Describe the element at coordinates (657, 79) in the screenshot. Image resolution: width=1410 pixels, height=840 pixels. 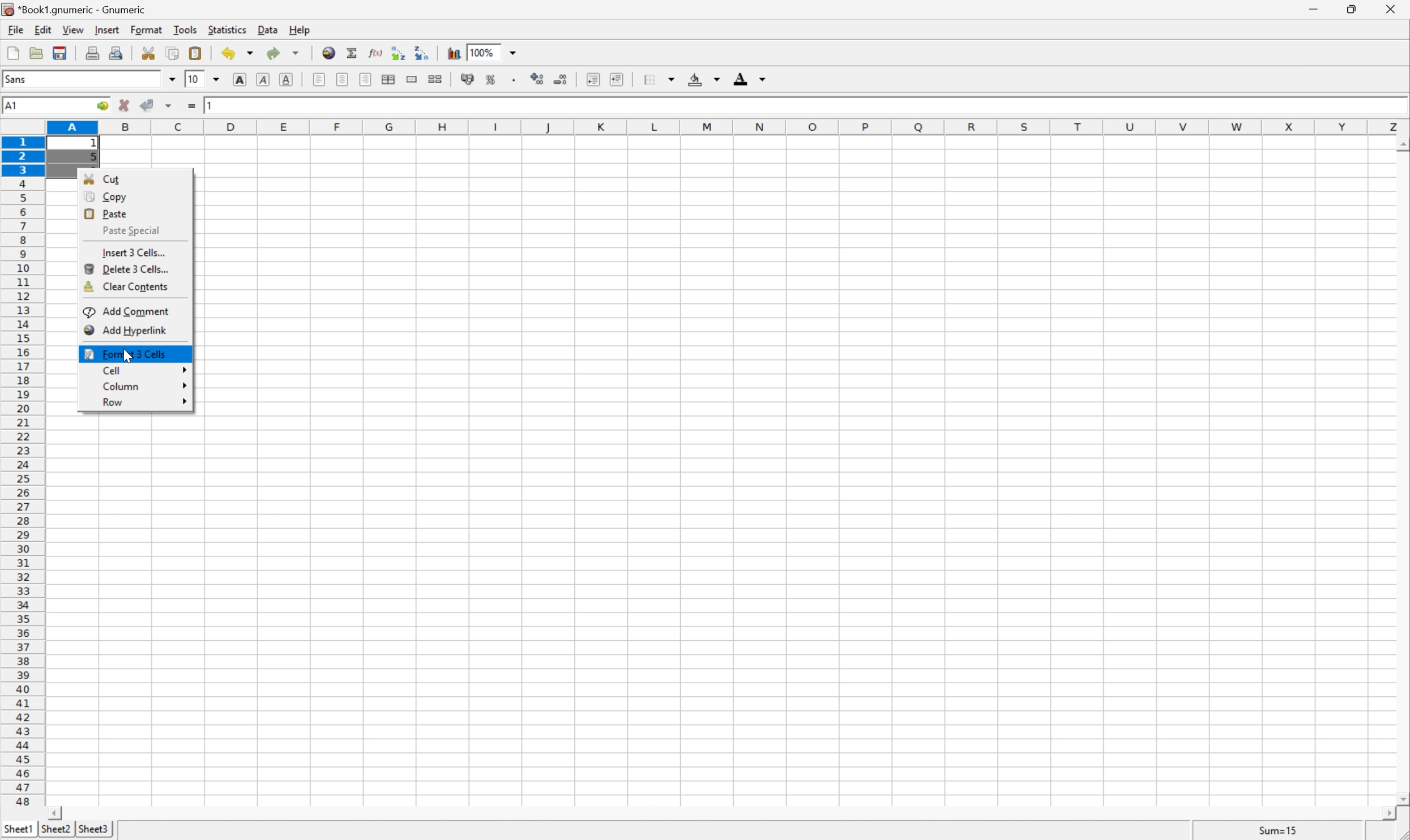
I see `borders` at that location.